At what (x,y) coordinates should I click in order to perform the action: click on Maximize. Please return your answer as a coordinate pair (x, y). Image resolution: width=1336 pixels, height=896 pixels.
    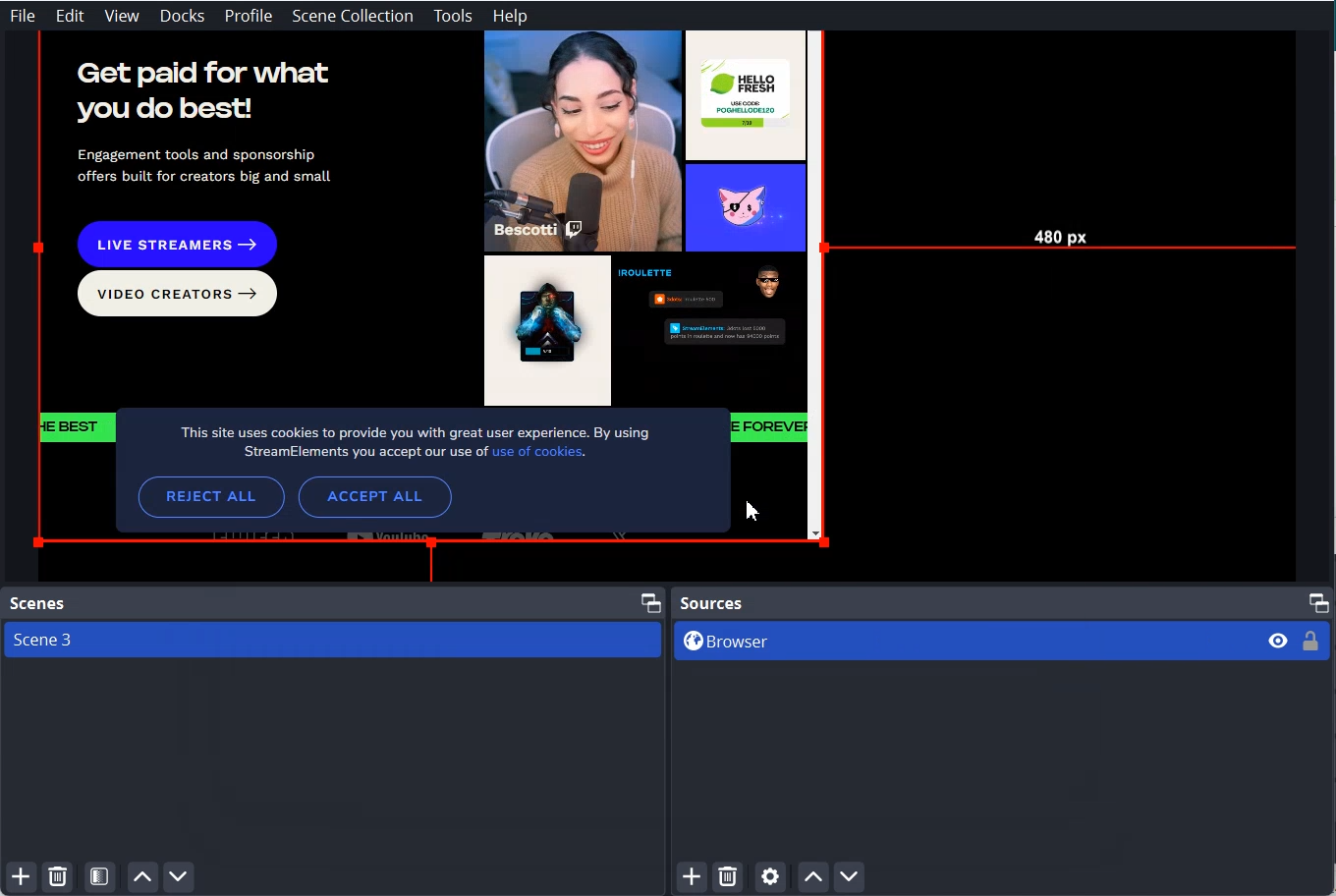
    Looking at the image, I should click on (651, 601).